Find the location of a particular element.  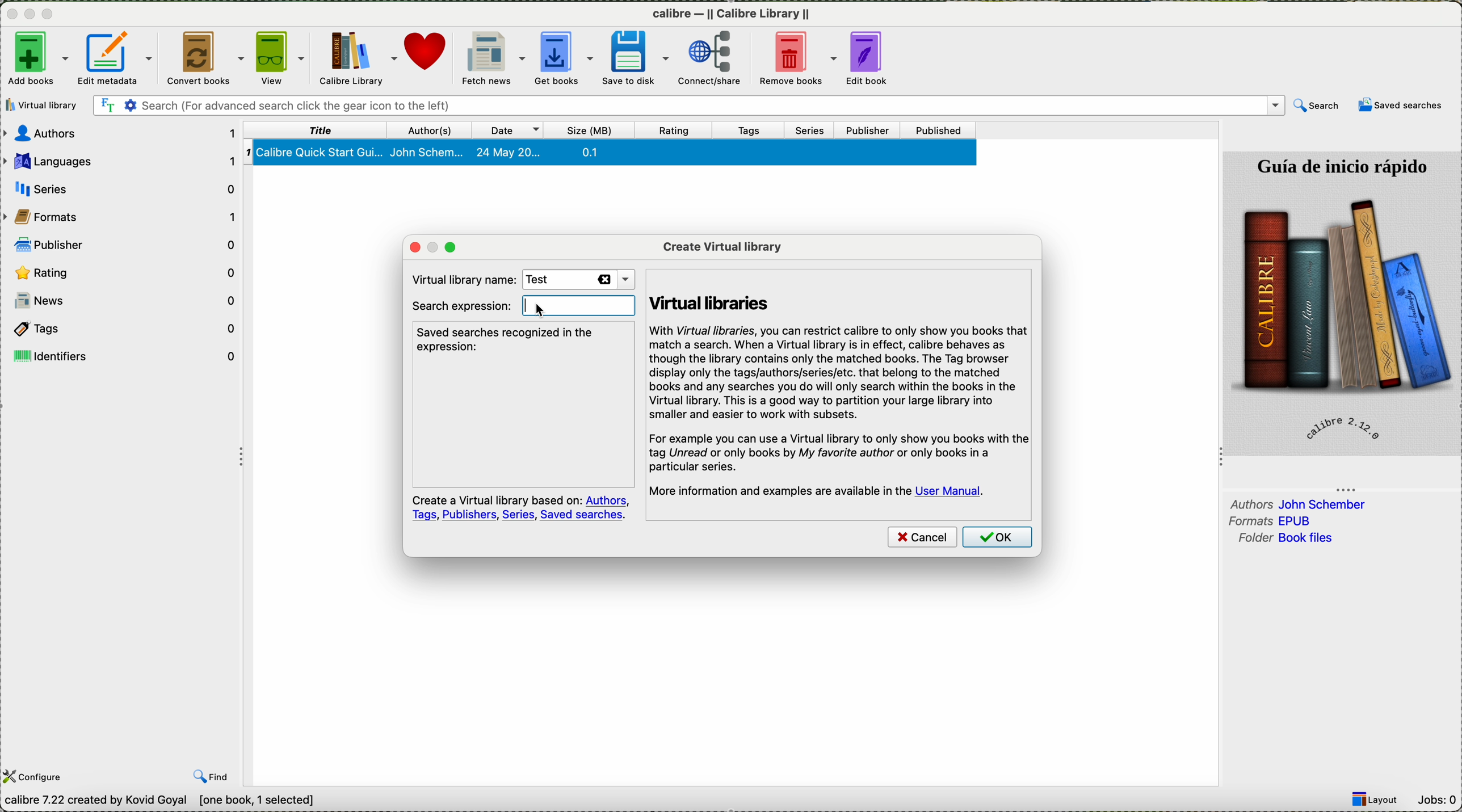

save to disk is located at coordinates (640, 57).